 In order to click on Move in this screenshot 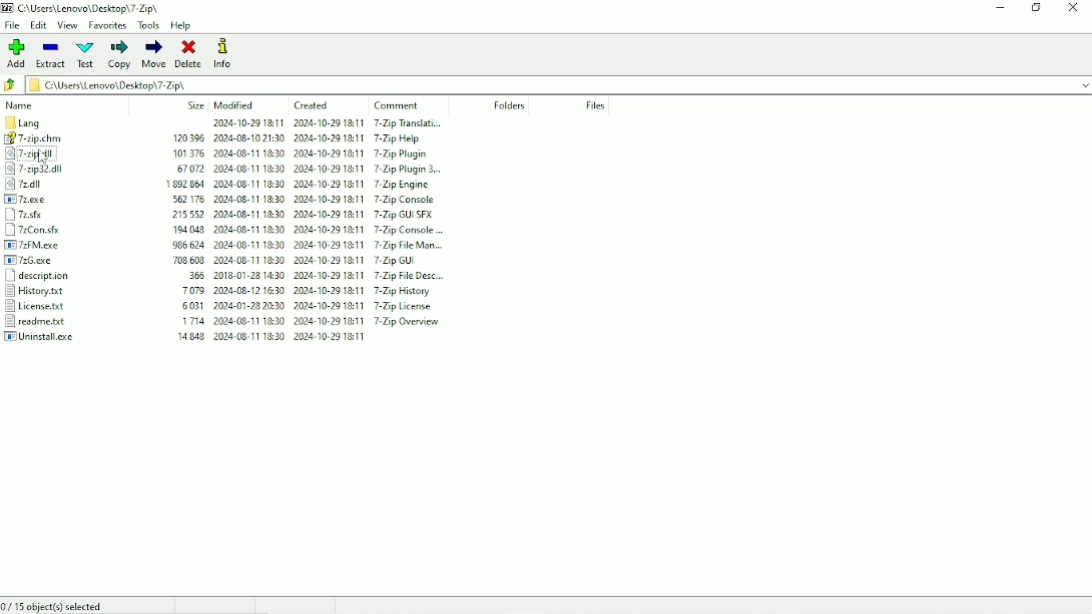, I will do `click(155, 54)`.